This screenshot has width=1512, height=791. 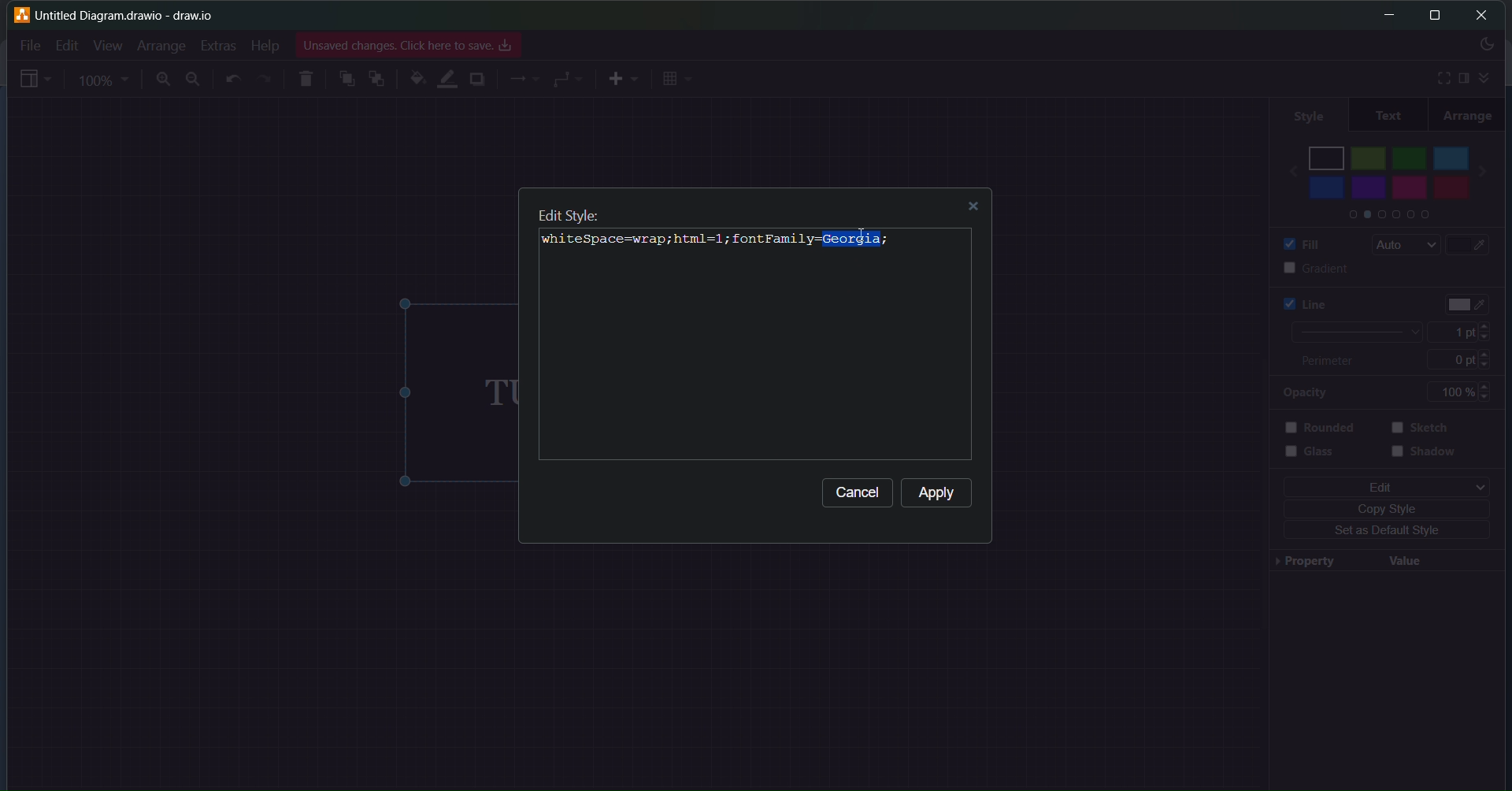 What do you see at coordinates (30, 43) in the screenshot?
I see `File` at bounding box center [30, 43].